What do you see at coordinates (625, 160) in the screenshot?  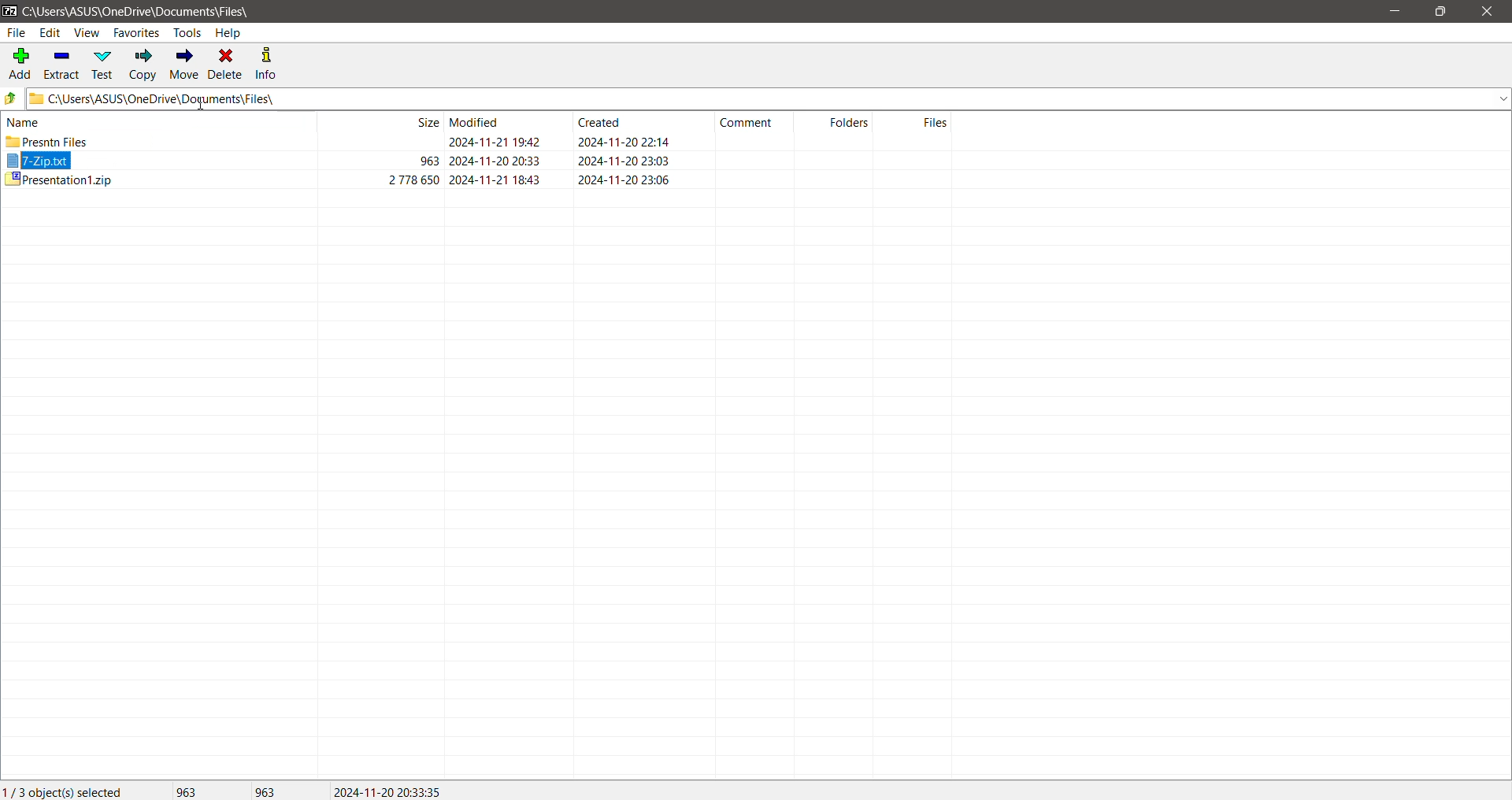 I see `created date & tim` at bounding box center [625, 160].